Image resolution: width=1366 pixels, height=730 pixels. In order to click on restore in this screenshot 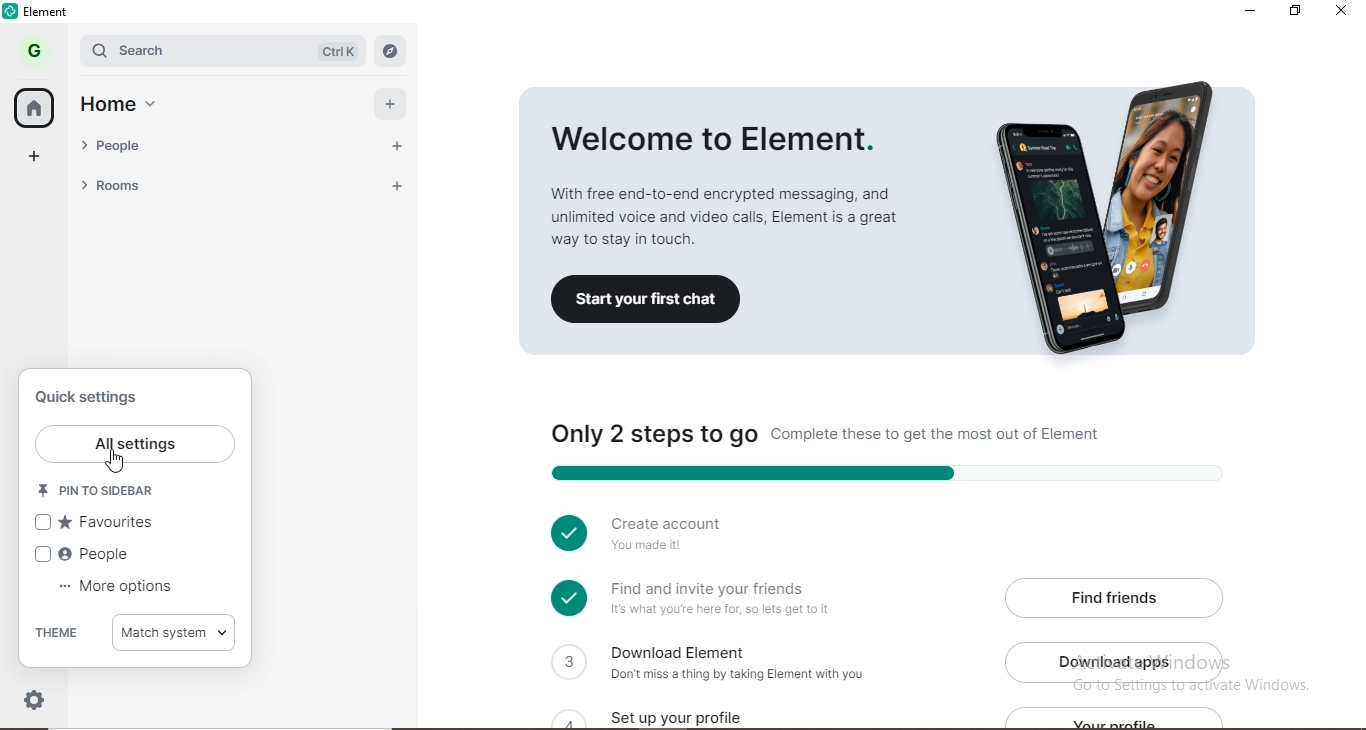, I will do `click(1294, 10)`.